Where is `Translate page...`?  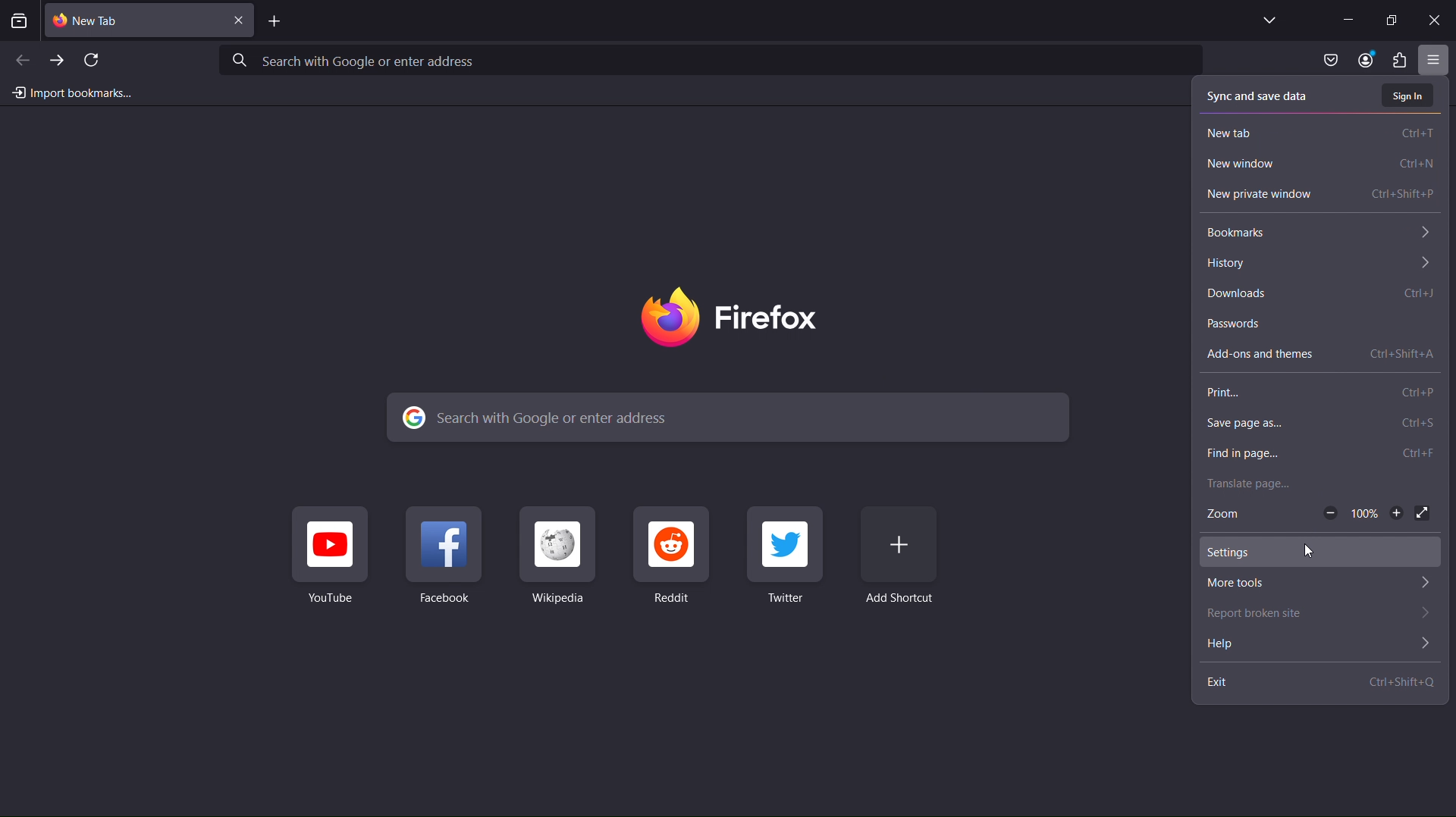
Translate page... is located at coordinates (1323, 486).